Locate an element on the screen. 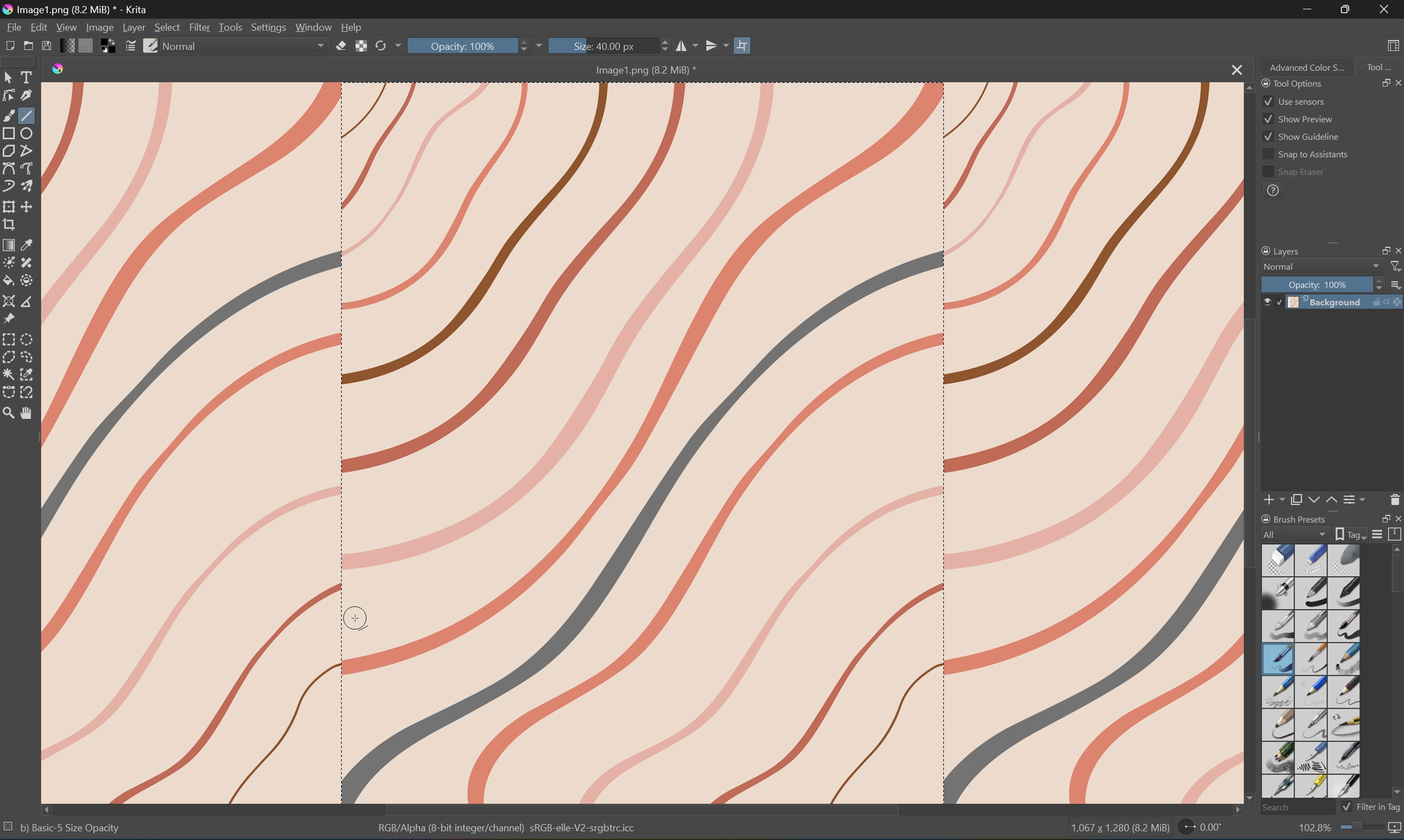  Layers is located at coordinates (1279, 250).